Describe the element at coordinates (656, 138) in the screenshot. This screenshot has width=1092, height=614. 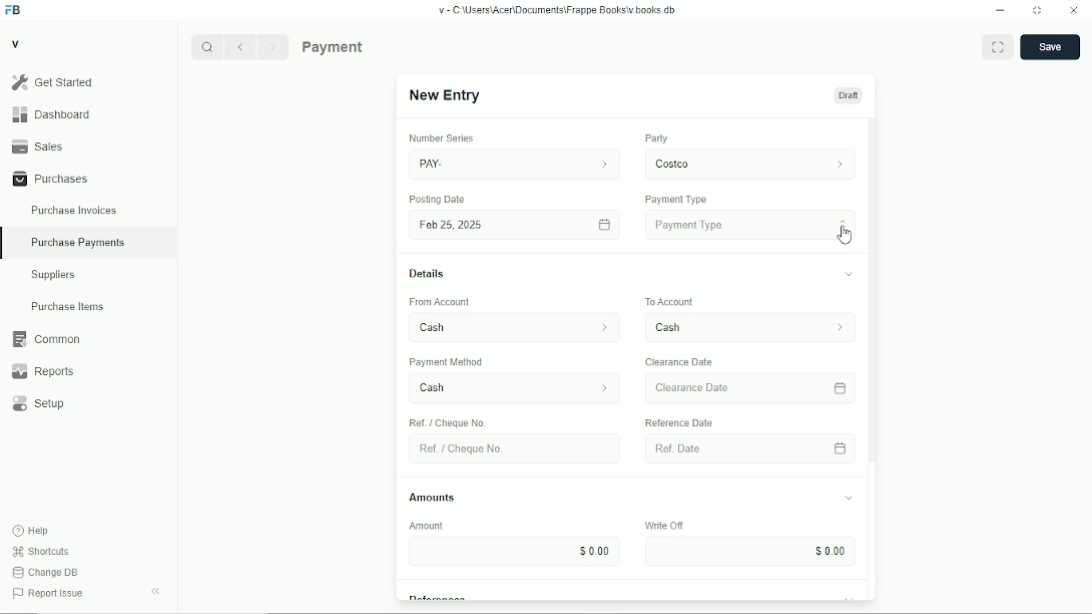
I see `Party` at that location.